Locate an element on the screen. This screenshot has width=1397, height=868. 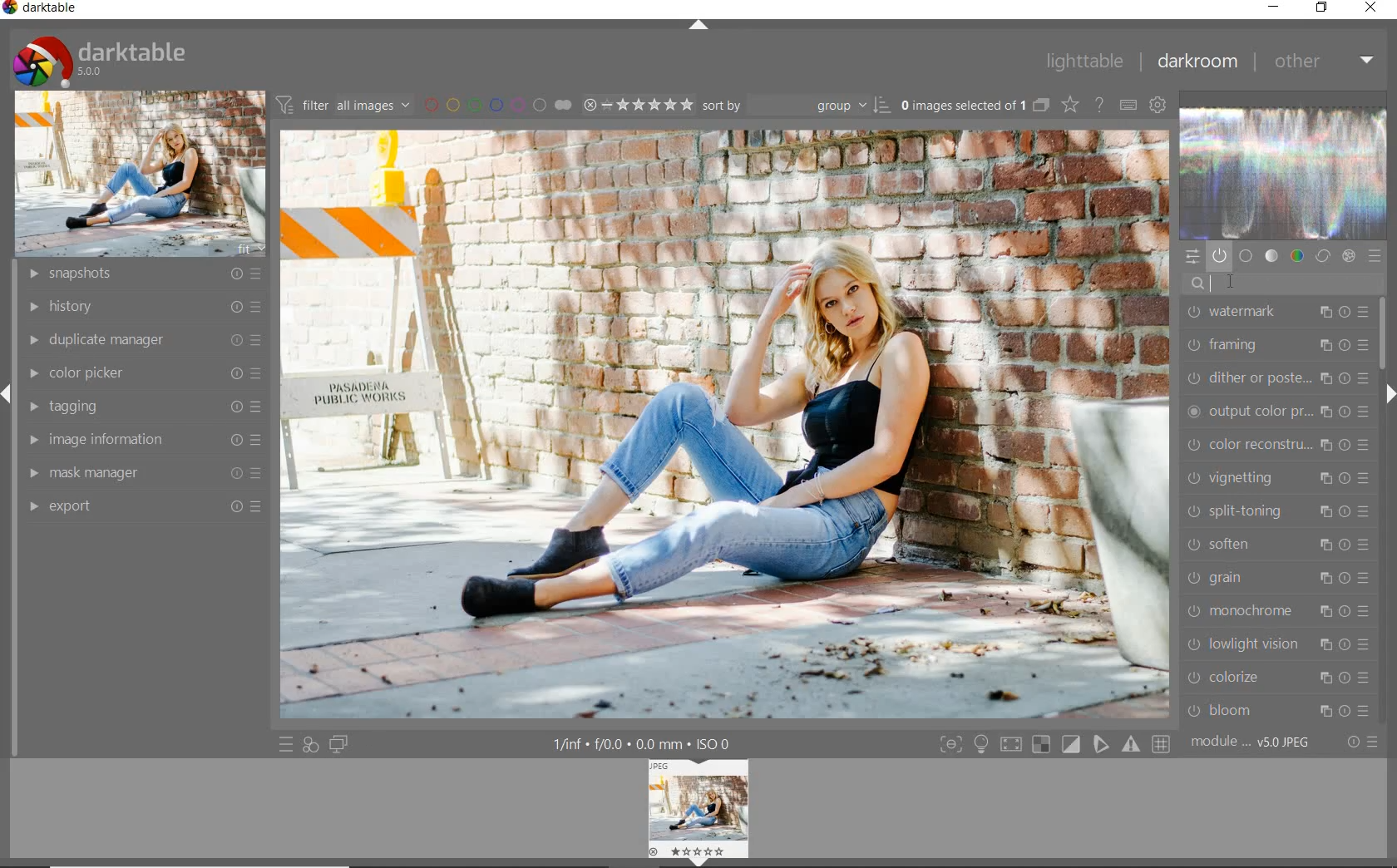
presets is located at coordinates (1377, 254).